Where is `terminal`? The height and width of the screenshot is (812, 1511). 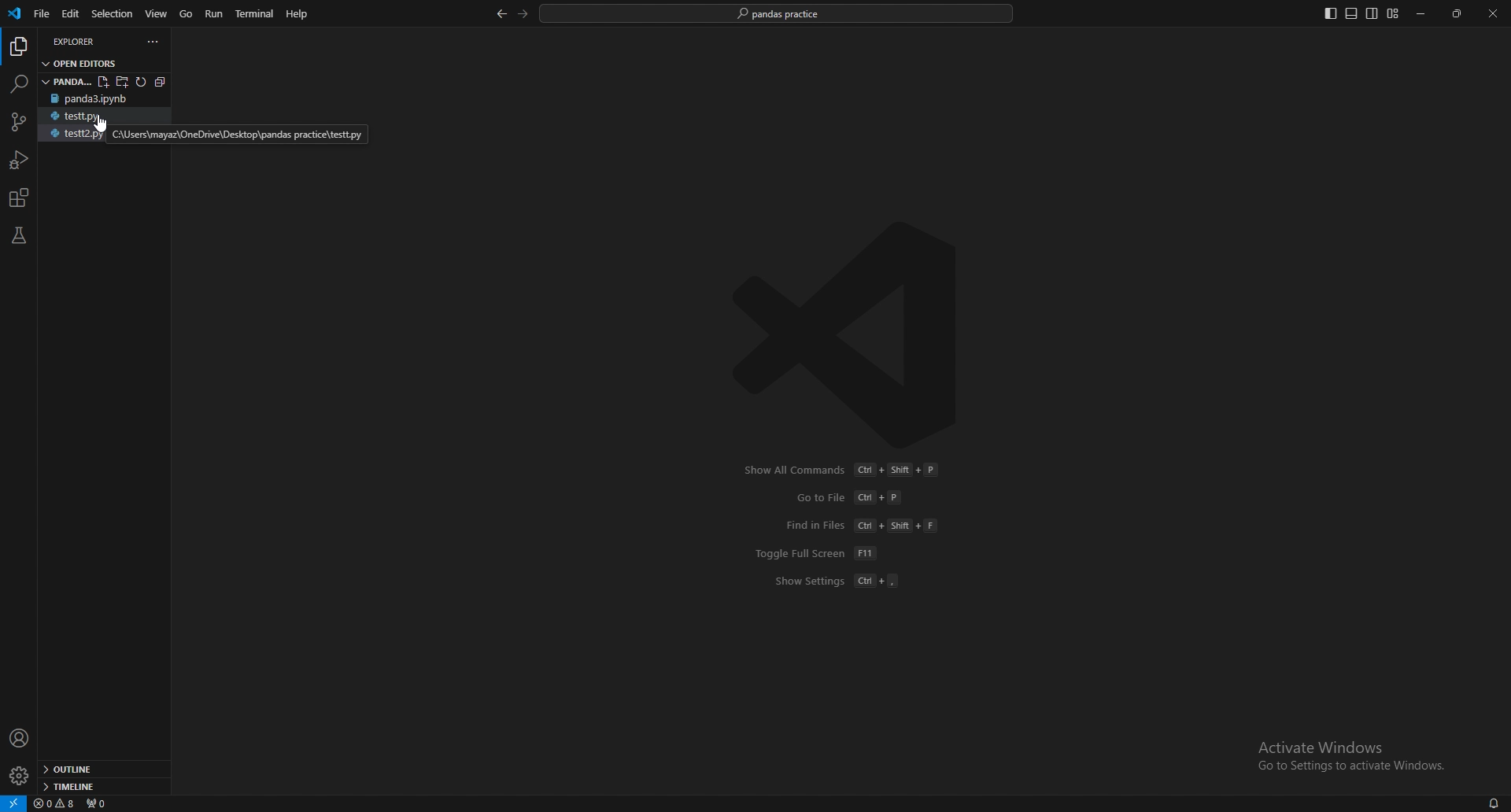 terminal is located at coordinates (256, 13).